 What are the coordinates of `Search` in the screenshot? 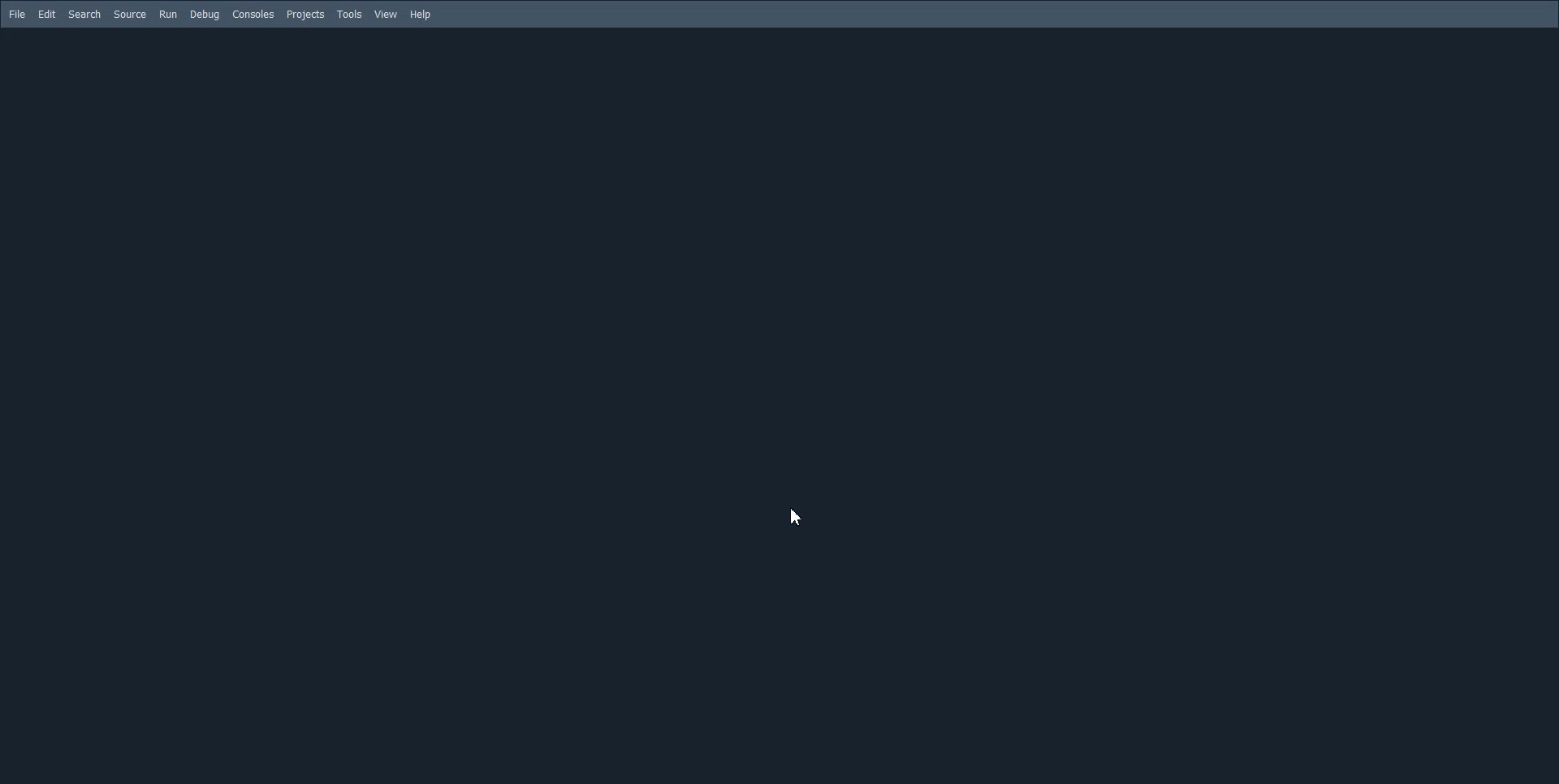 It's located at (85, 14).